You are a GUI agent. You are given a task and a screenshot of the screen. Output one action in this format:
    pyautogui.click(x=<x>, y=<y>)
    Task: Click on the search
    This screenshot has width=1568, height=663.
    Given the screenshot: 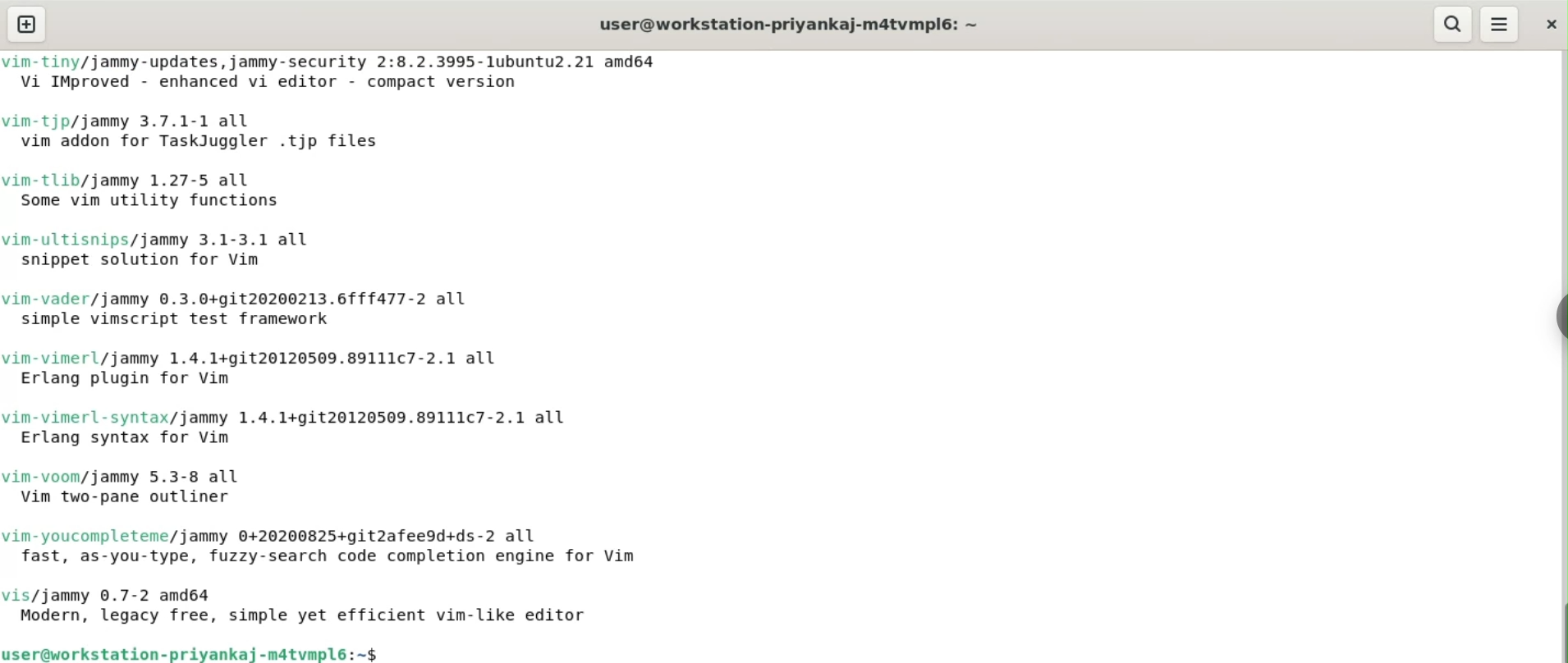 What is the action you would take?
    pyautogui.click(x=1449, y=25)
    